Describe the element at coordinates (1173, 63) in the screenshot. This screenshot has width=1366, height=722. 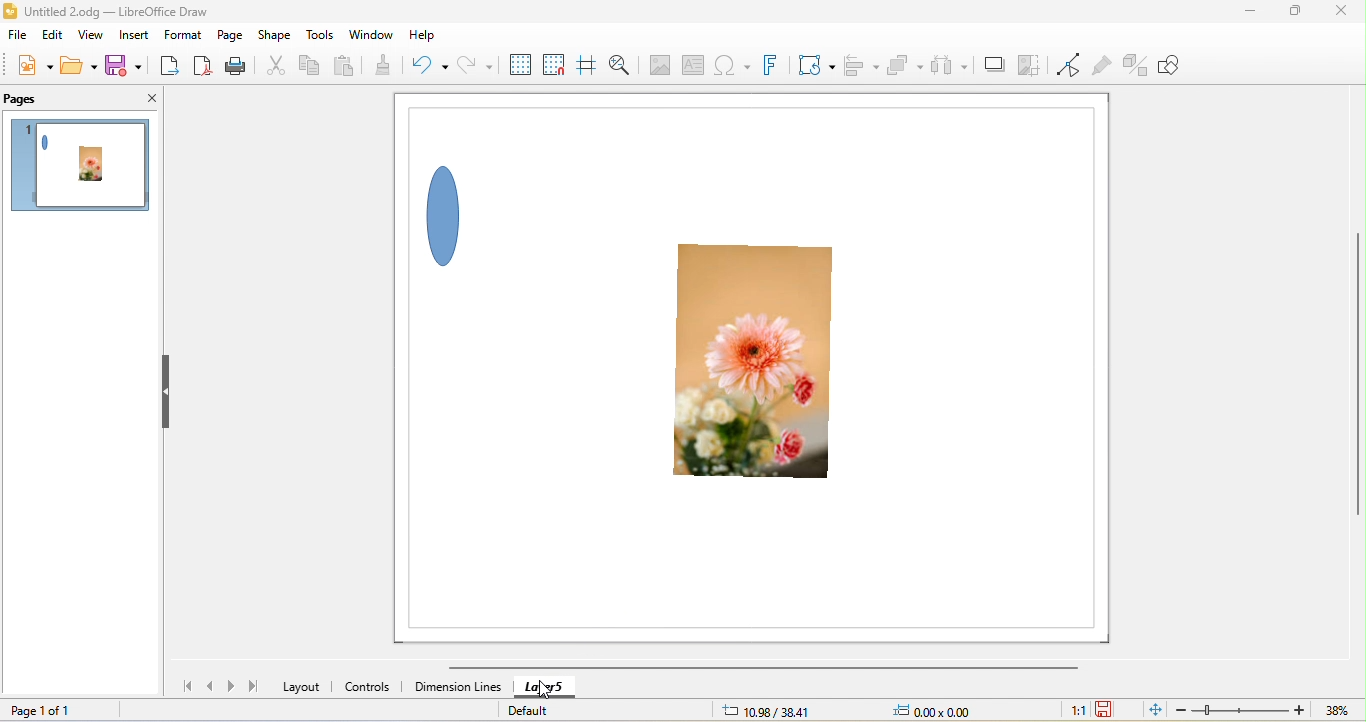
I see `show draw function ` at that location.